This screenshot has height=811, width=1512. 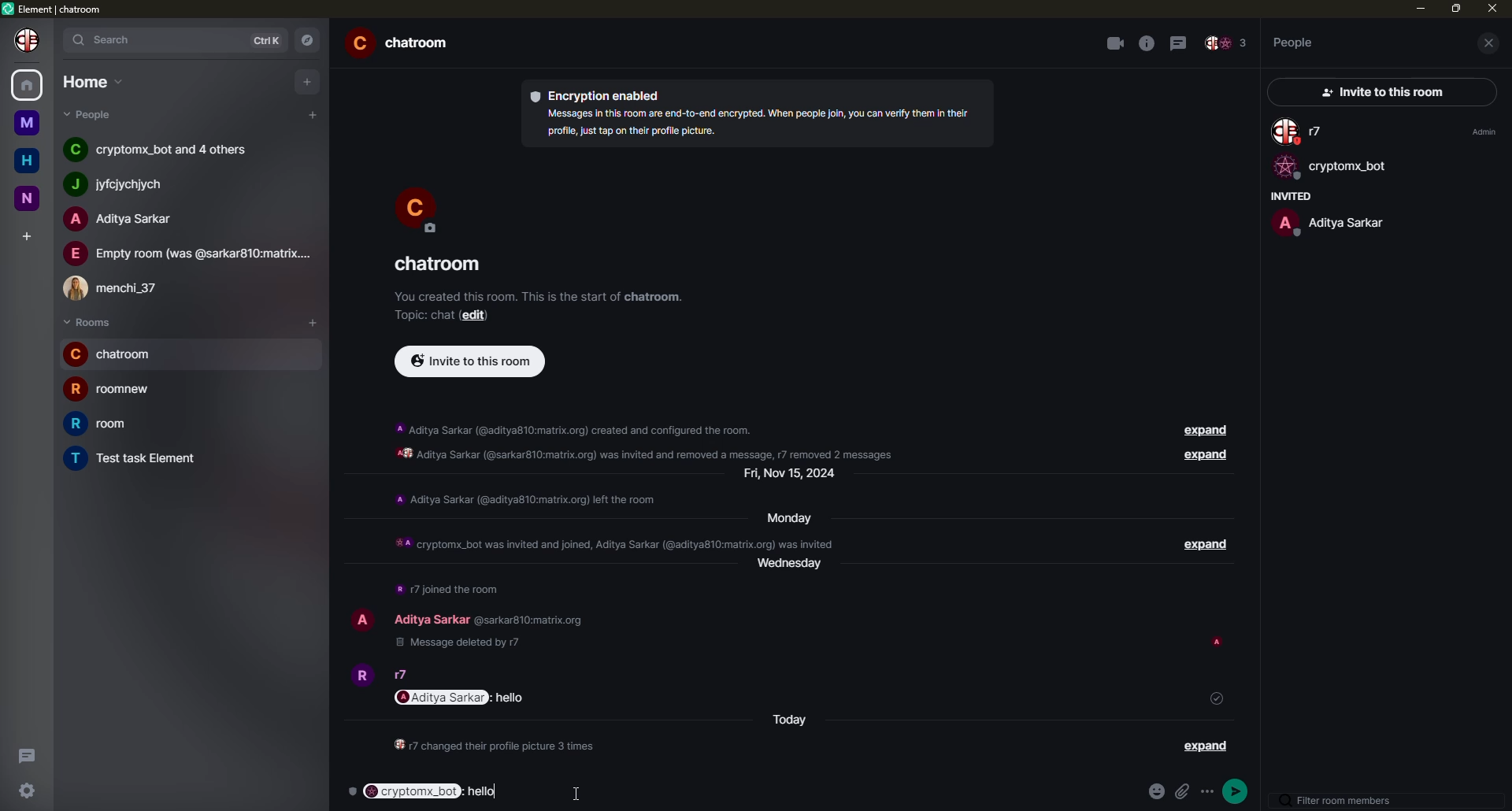 I want to click on filter room members, so click(x=1341, y=801).